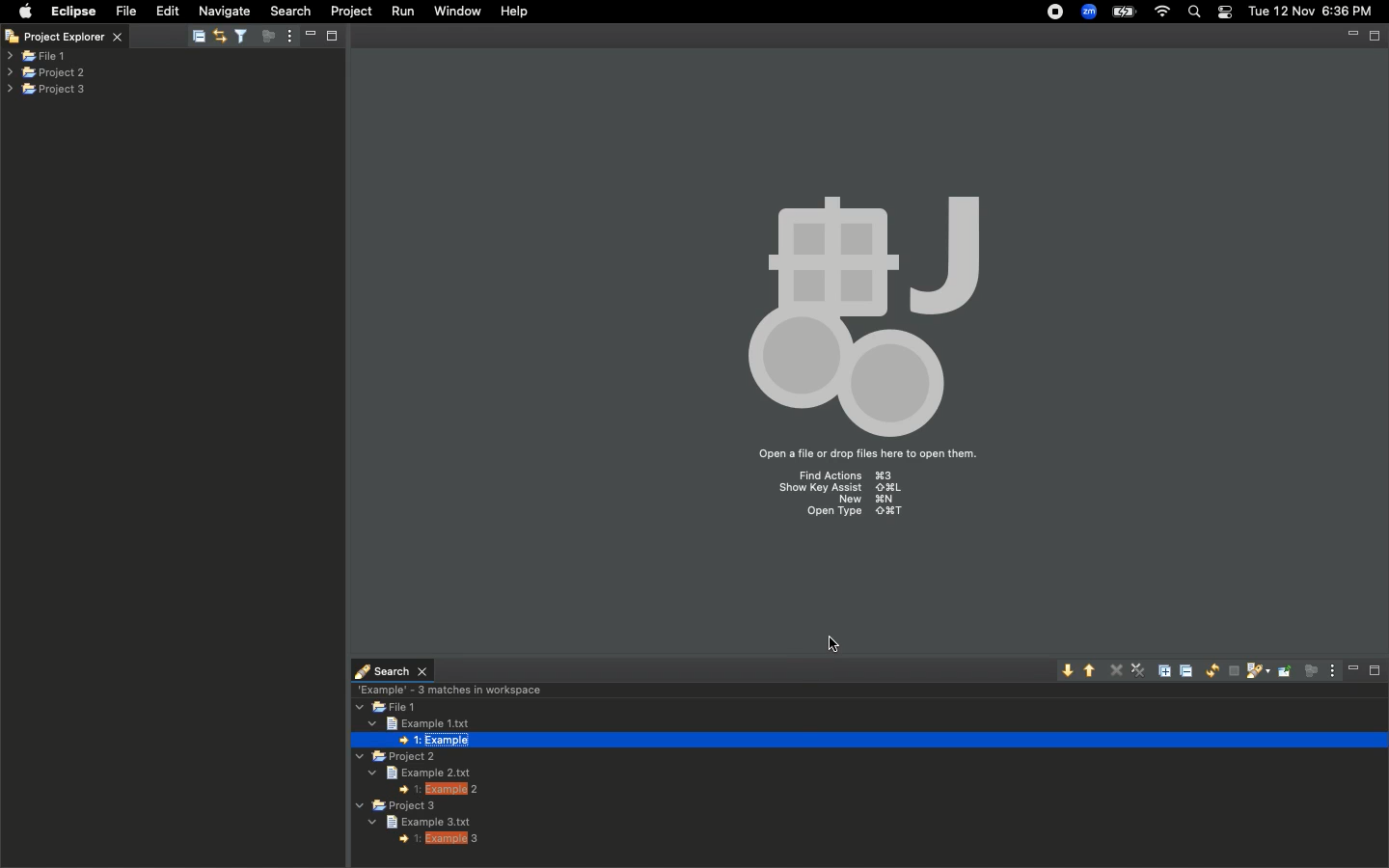 The height and width of the screenshot is (868, 1389). I want to click on Maximize, so click(1376, 36).